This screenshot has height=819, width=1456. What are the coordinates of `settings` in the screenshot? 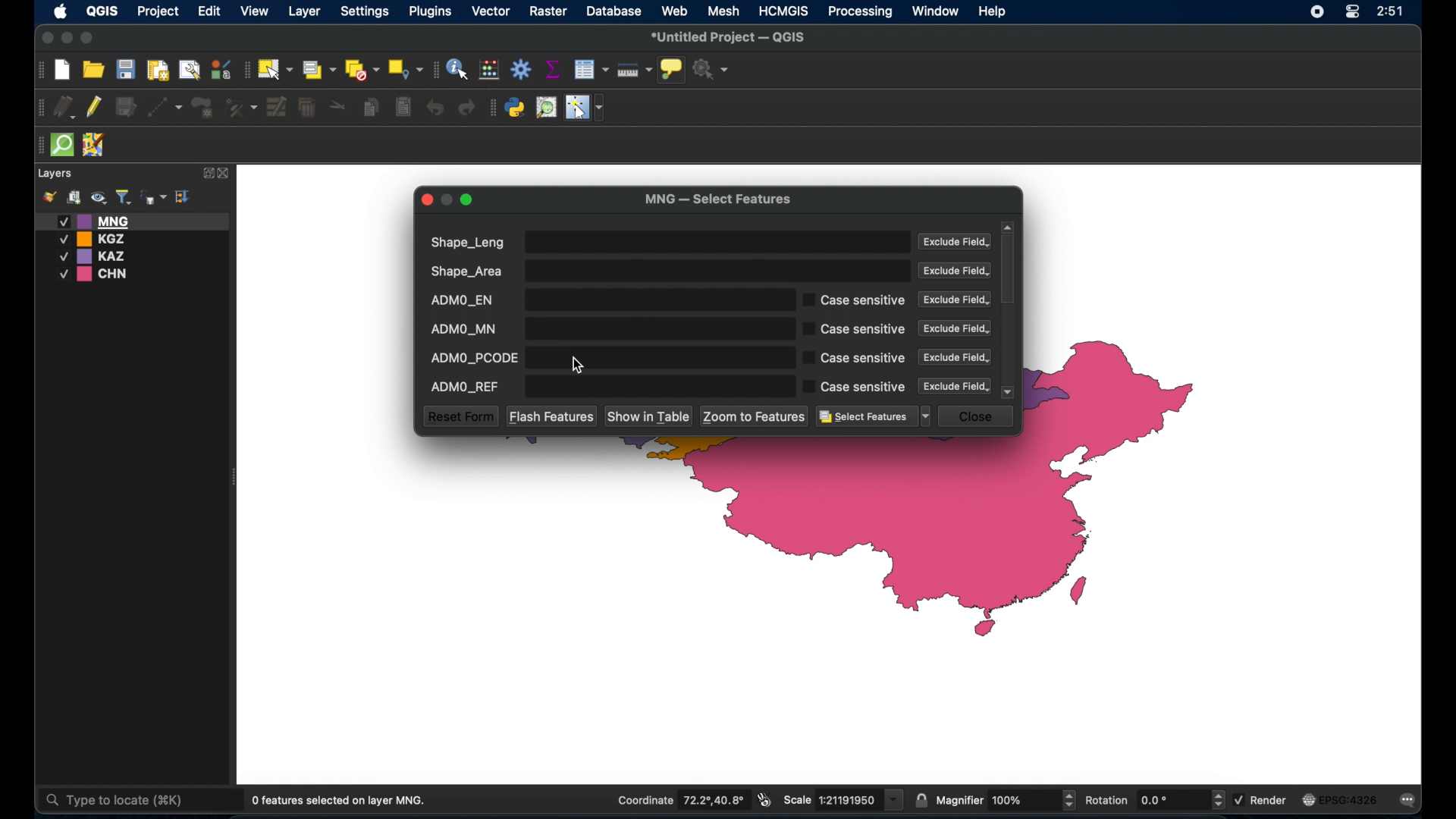 It's located at (364, 12).